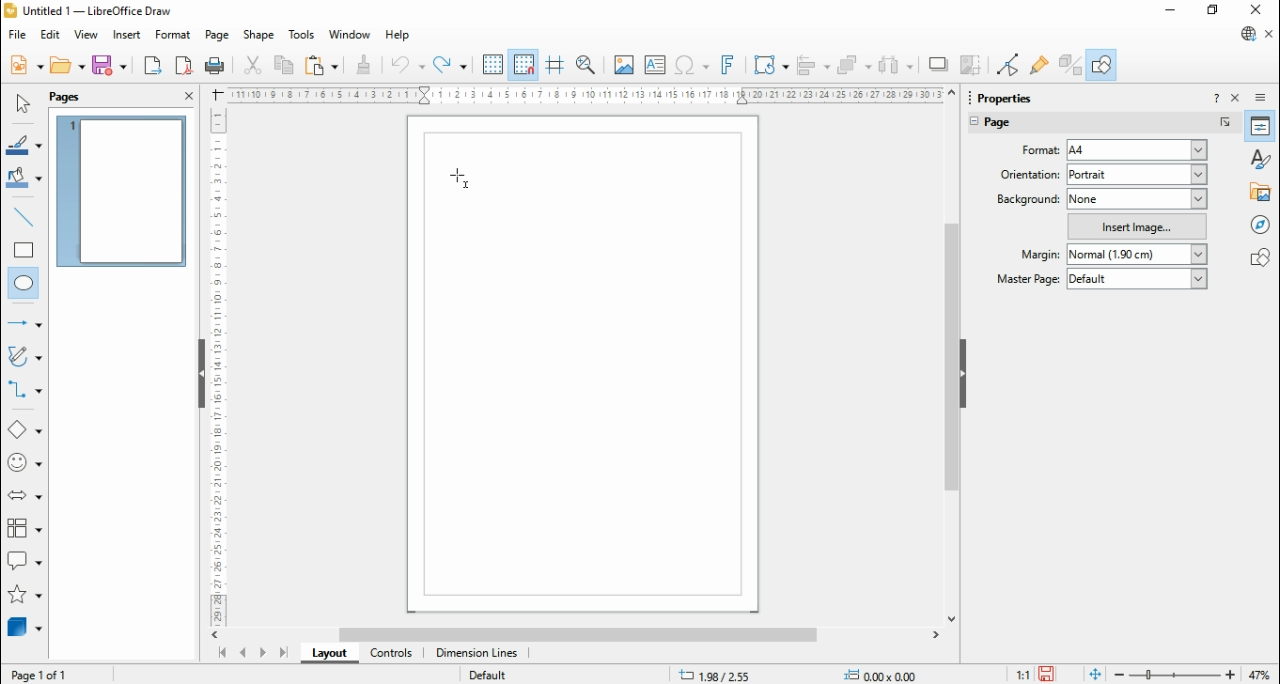  What do you see at coordinates (152, 65) in the screenshot?
I see `export` at bounding box center [152, 65].